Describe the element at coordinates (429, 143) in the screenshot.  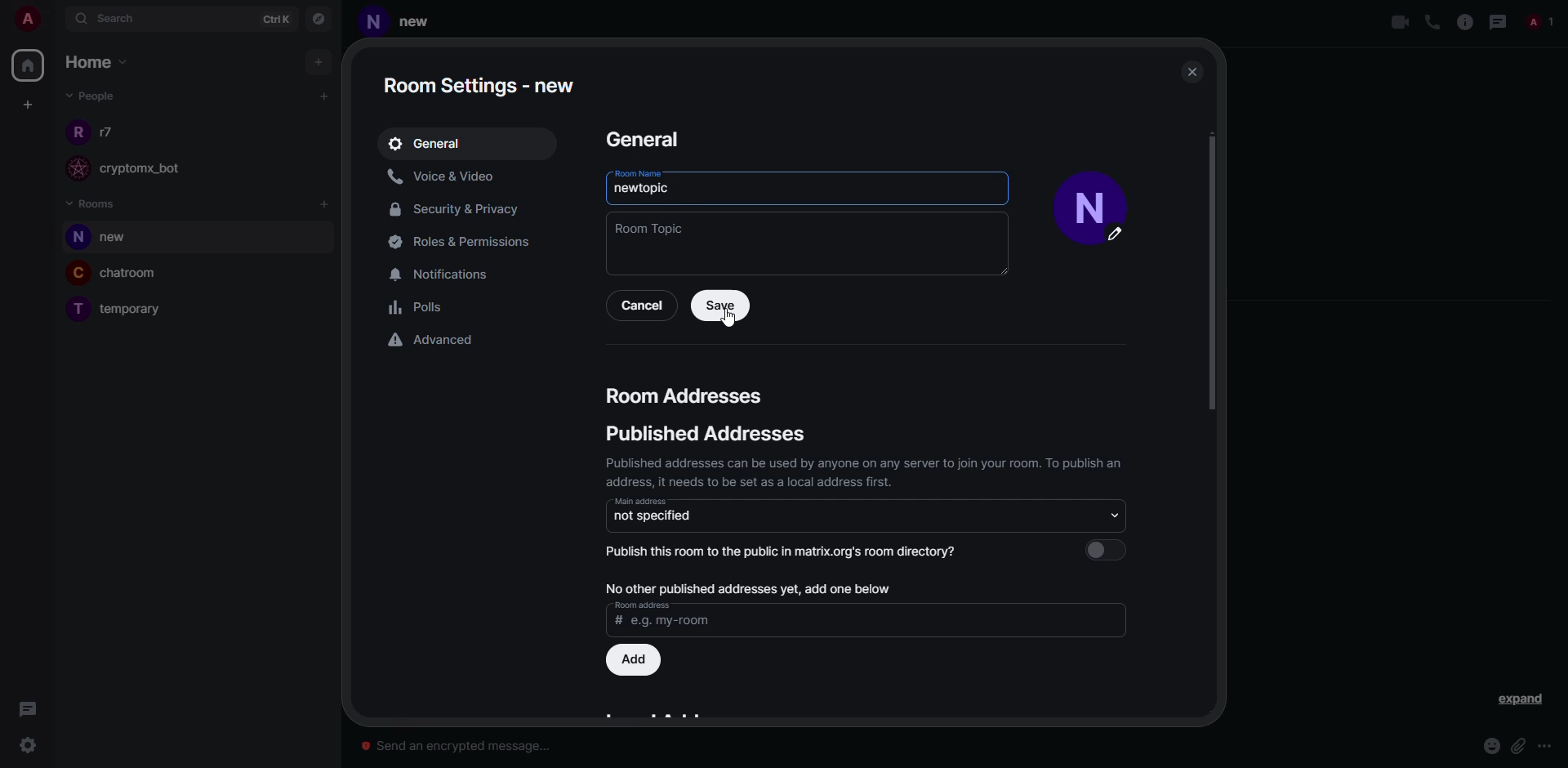
I see `general` at that location.